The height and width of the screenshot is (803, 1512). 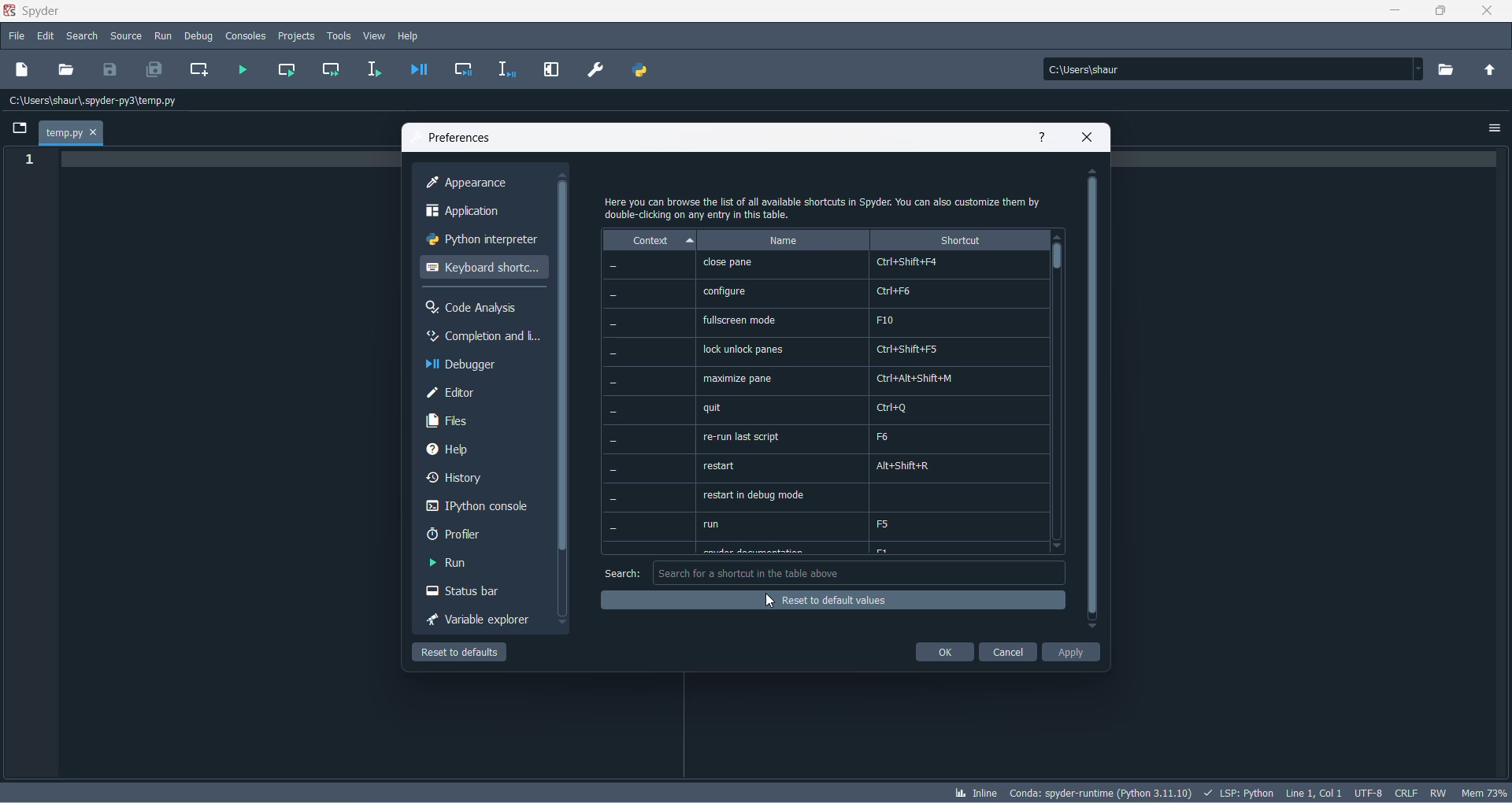 I want to click on cursor, so click(x=769, y=601).